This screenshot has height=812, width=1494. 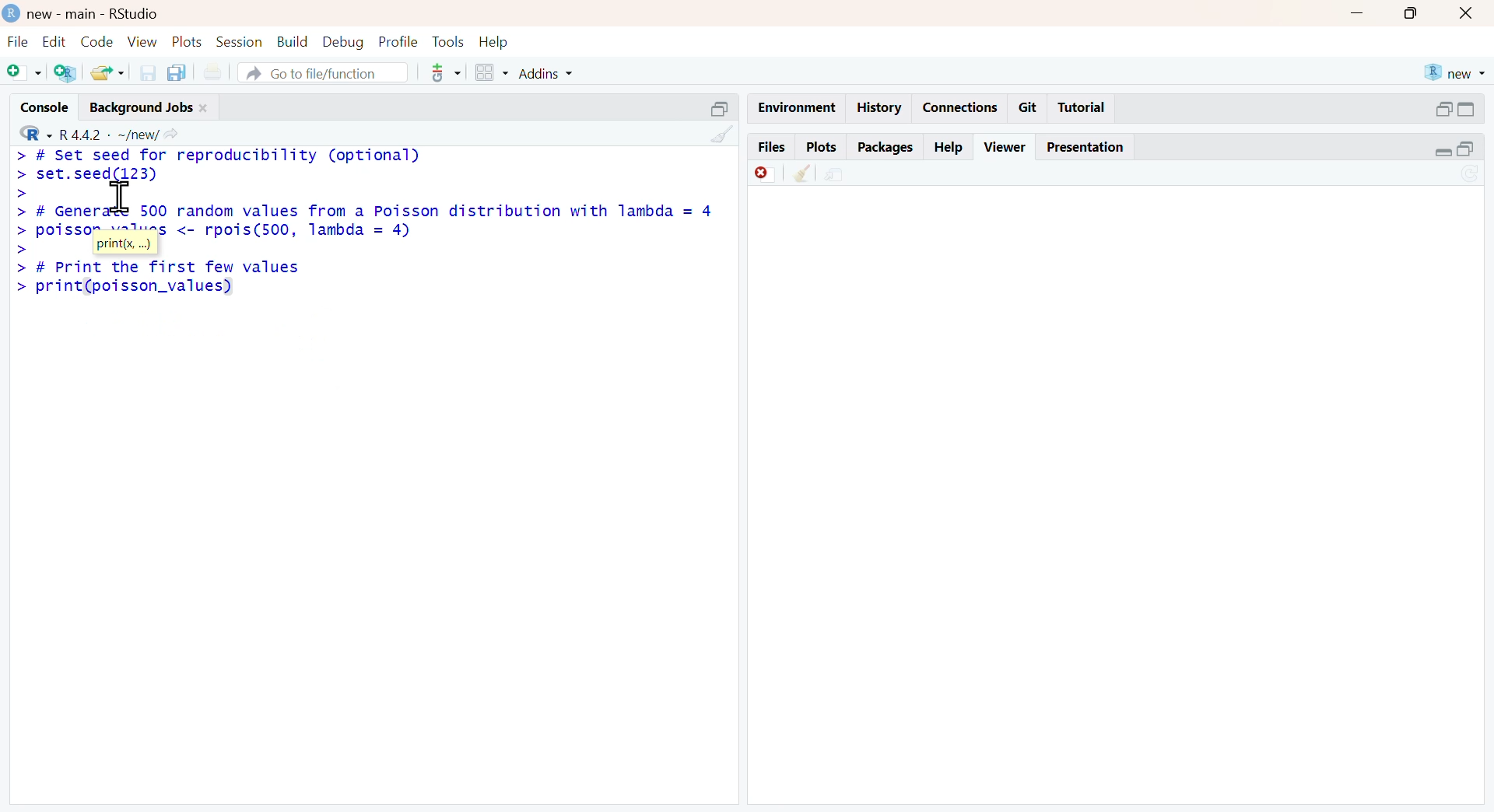 I want to click on print(x, ...), so click(x=126, y=246).